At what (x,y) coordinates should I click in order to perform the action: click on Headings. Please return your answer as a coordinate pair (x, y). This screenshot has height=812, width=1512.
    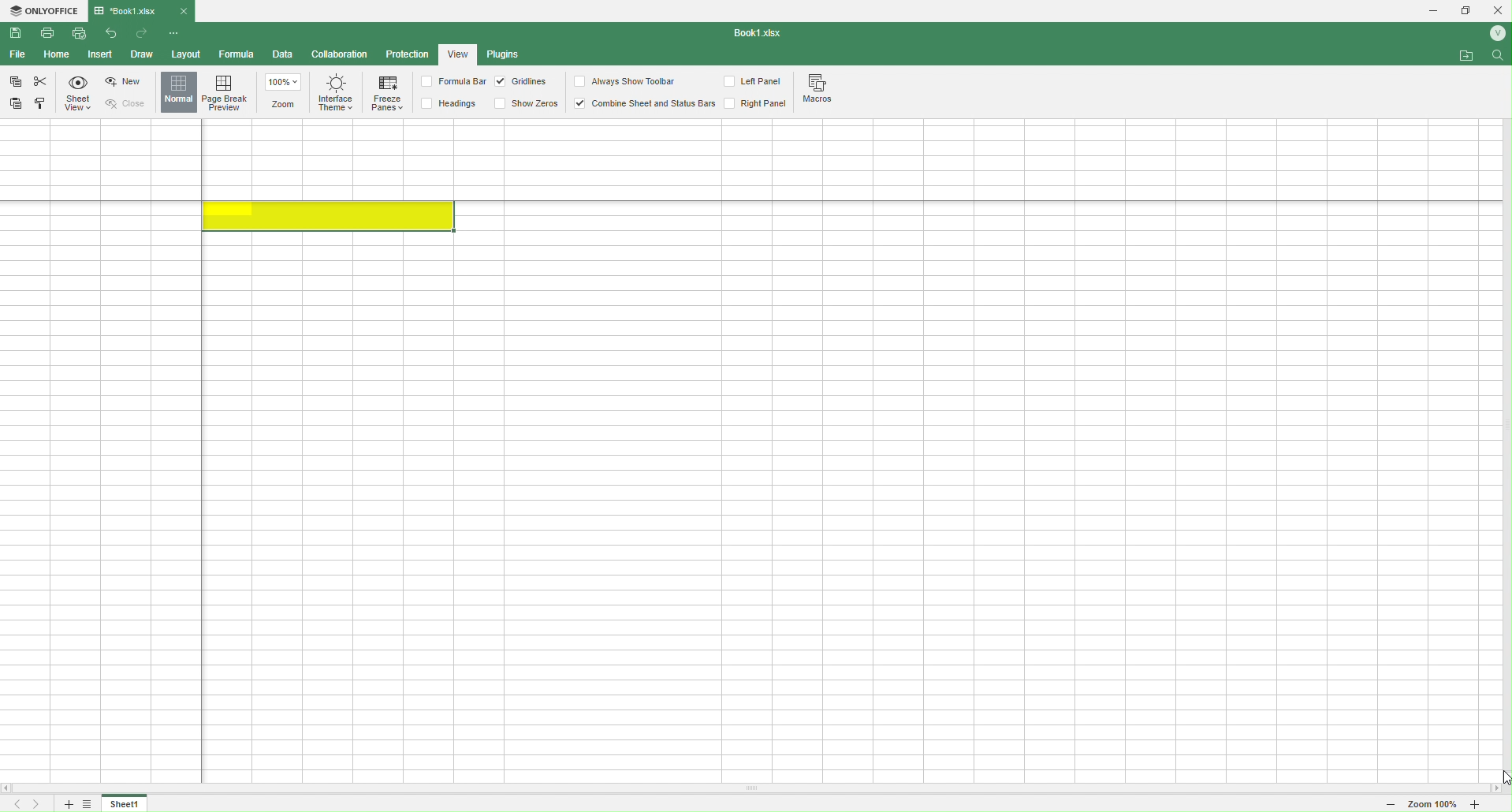
    Looking at the image, I should click on (454, 103).